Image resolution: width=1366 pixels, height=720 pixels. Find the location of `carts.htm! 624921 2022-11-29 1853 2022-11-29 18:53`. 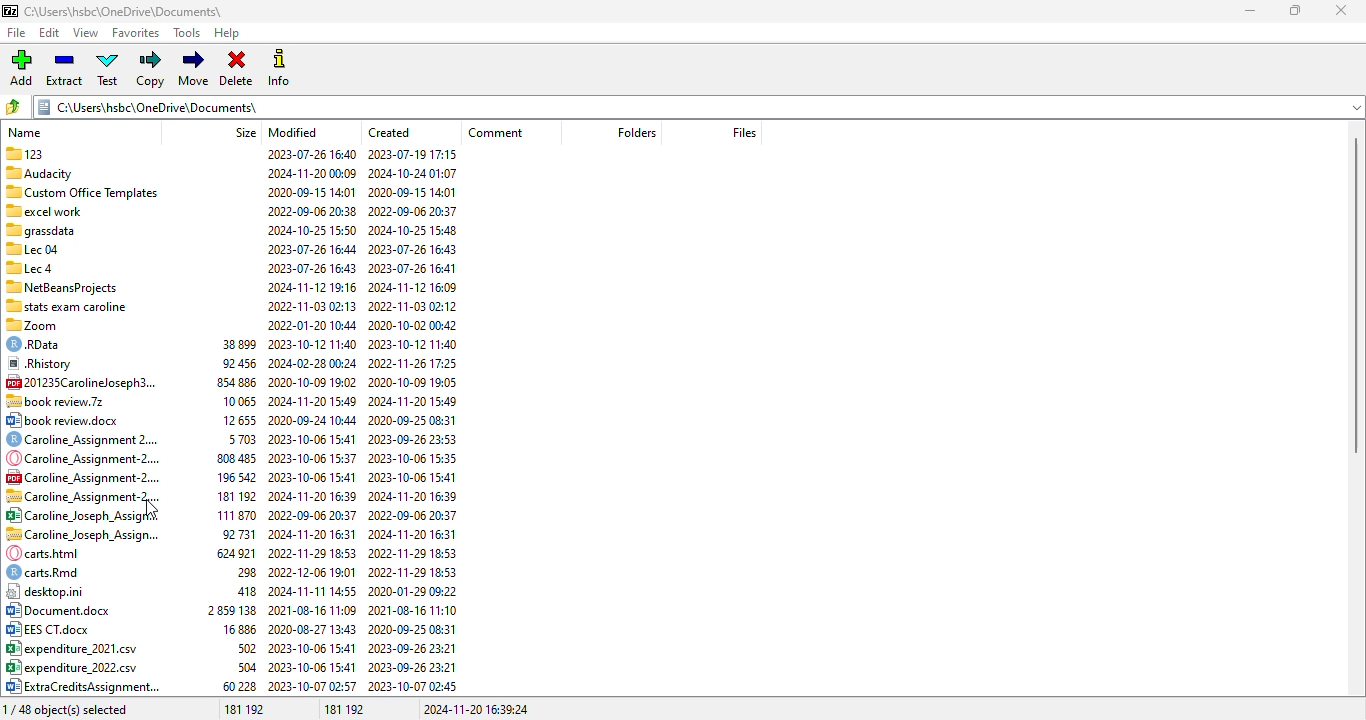

carts.htm! 624921 2022-11-29 1853 2022-11-29 18:53 is located at coordinates (230, 553).